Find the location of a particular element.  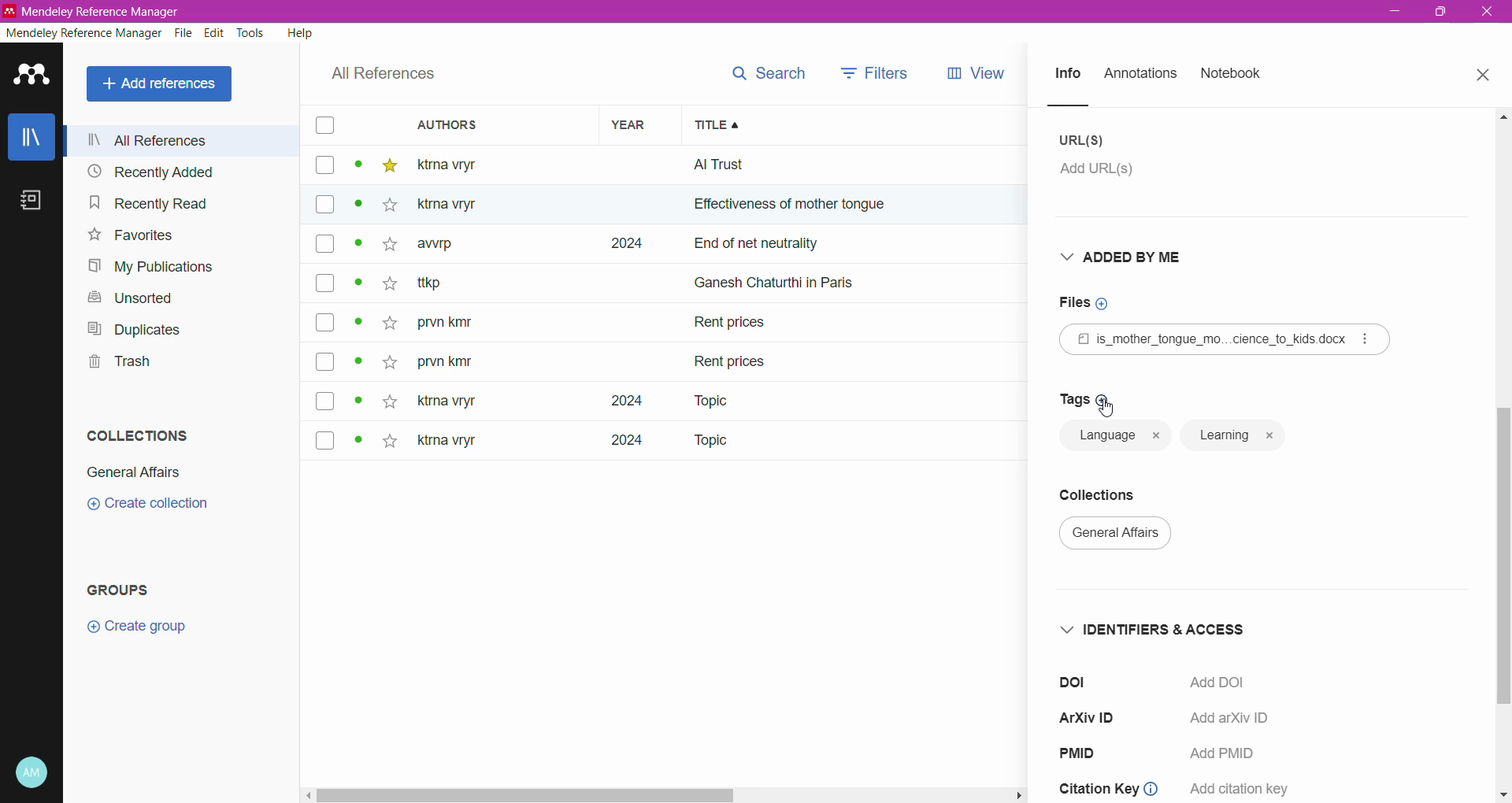

Library is located at coordinates (31, 136).